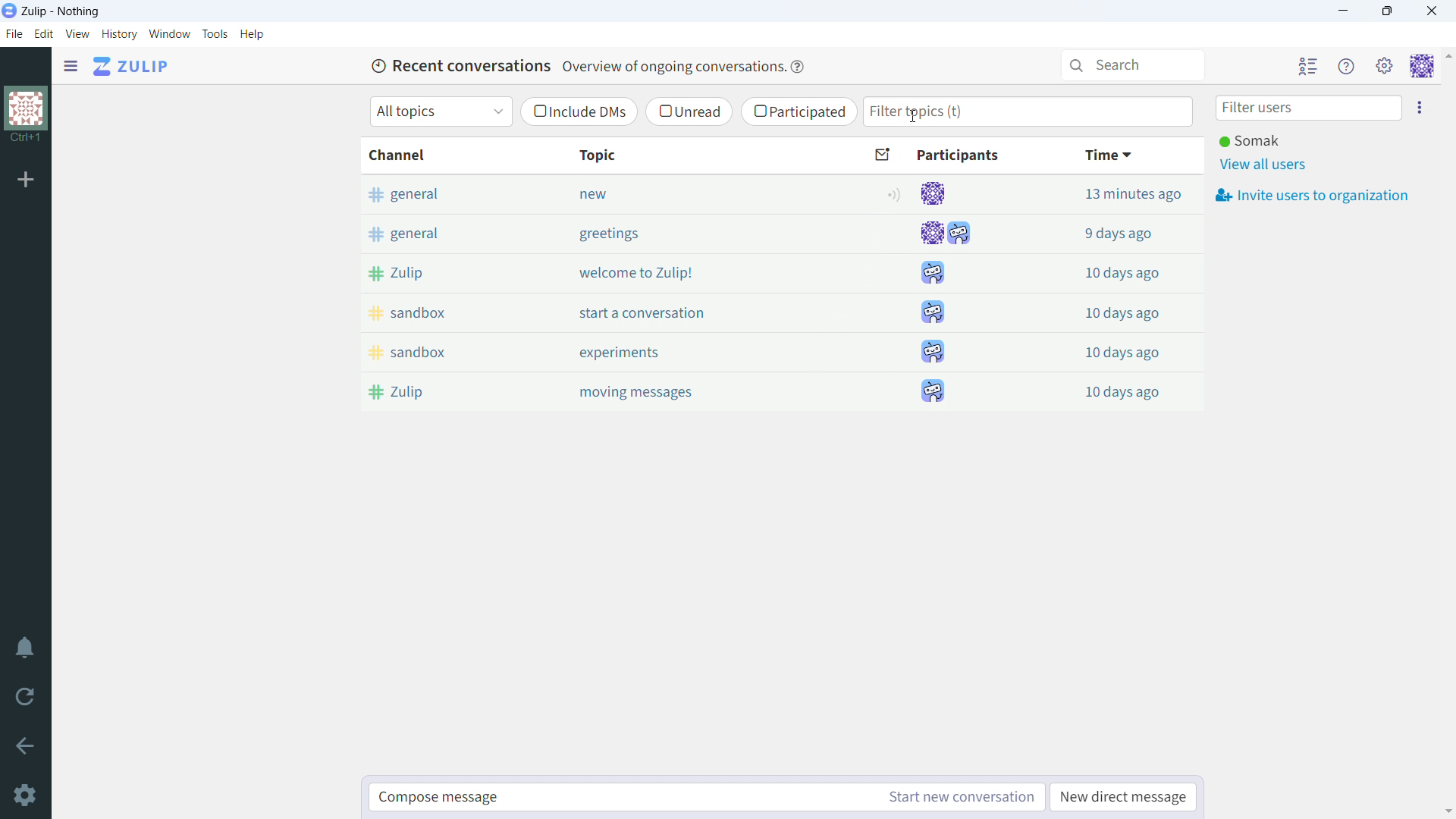 The height and width of the screenshot is (819, 1456). I want to click on filter users, so click(1310, 108).